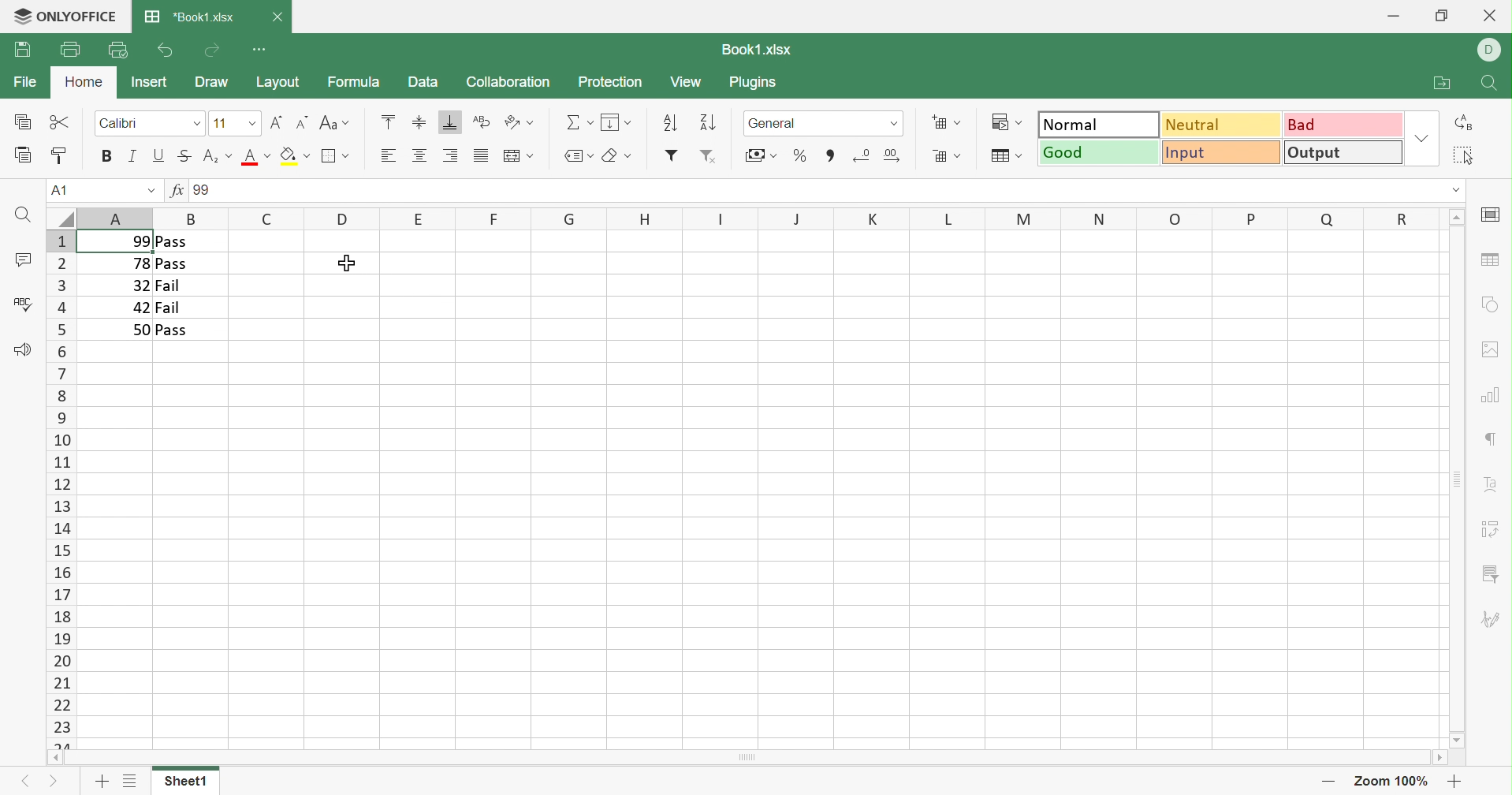 This screenshot has width=1512, height=795. I want to click on Align middle, so click(417, 121).